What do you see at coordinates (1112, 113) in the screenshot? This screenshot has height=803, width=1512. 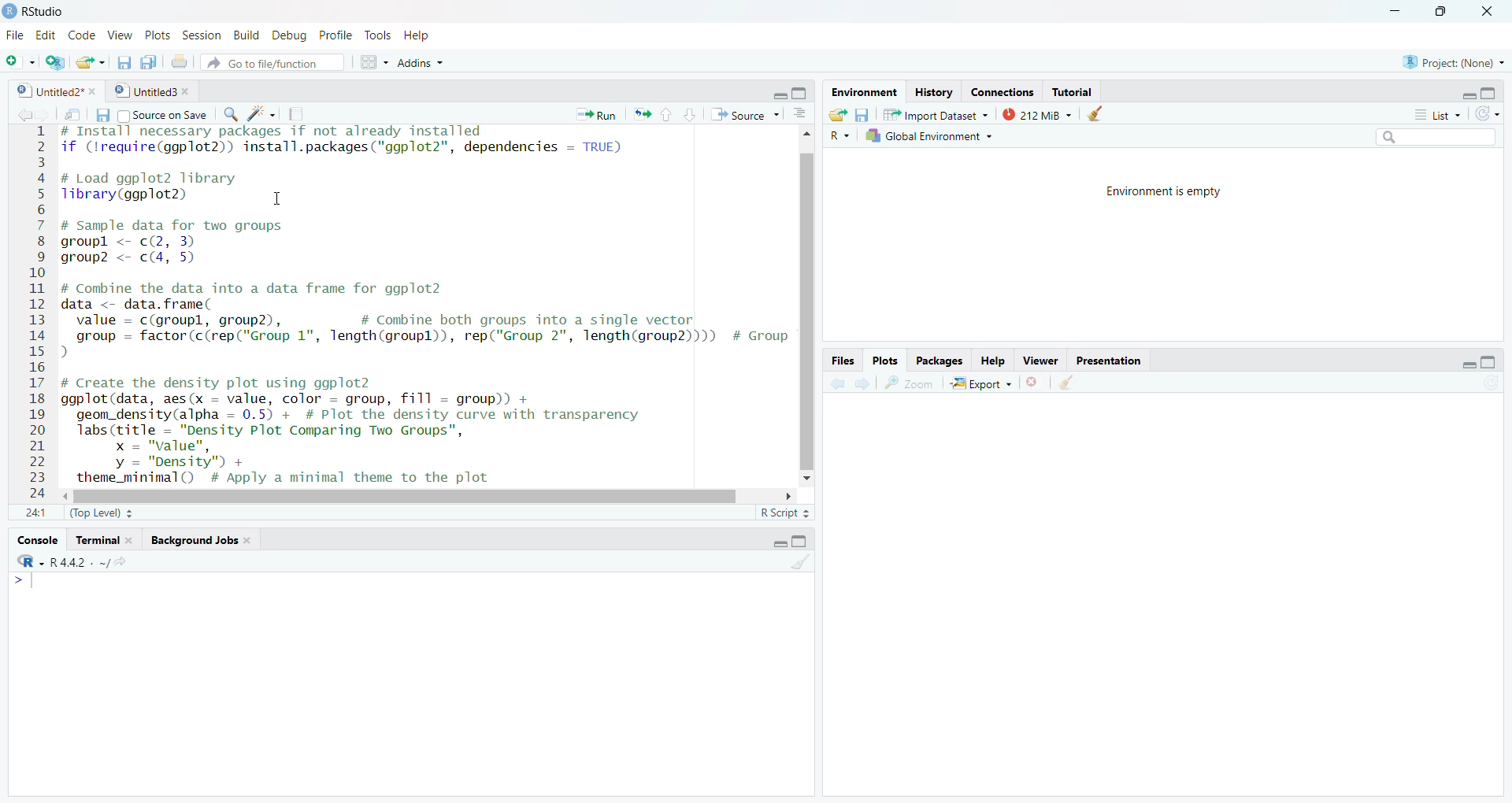 I see `clear` at bounding box center [1112, 113].